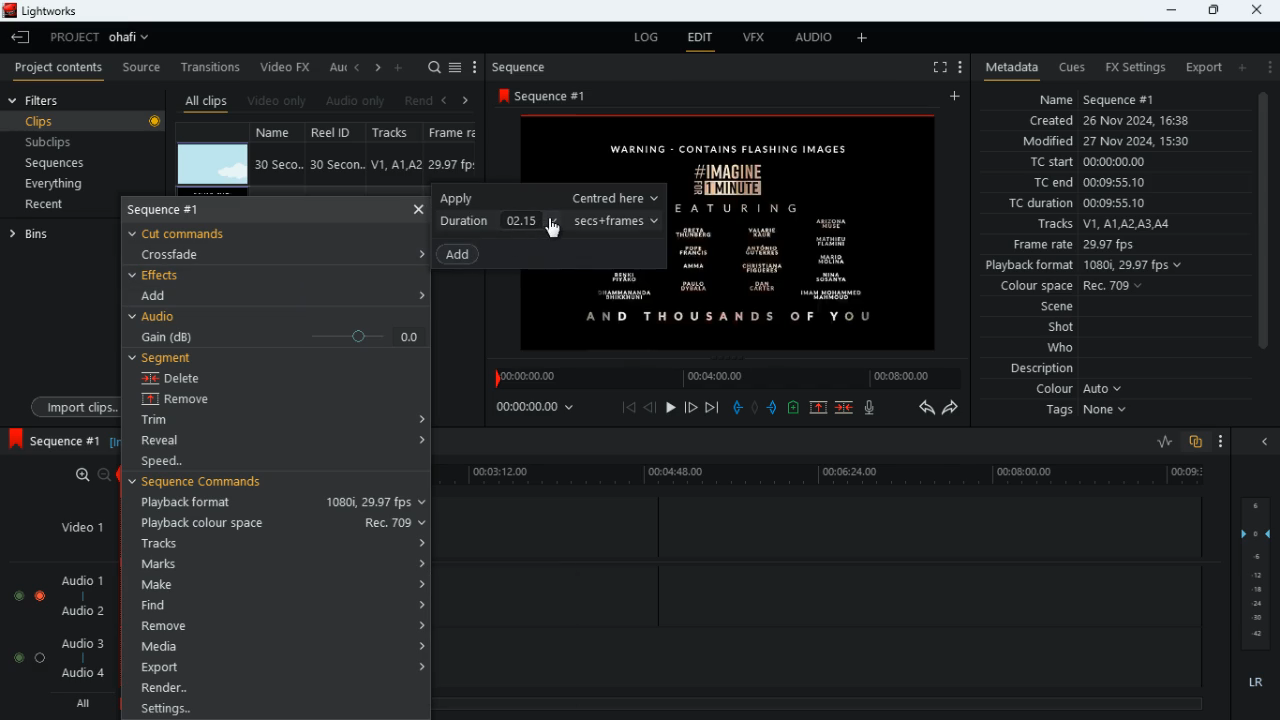 Image resolution: width=1280 pixels, height=720 pixels. I want to click on beggining, so click(629, 407).